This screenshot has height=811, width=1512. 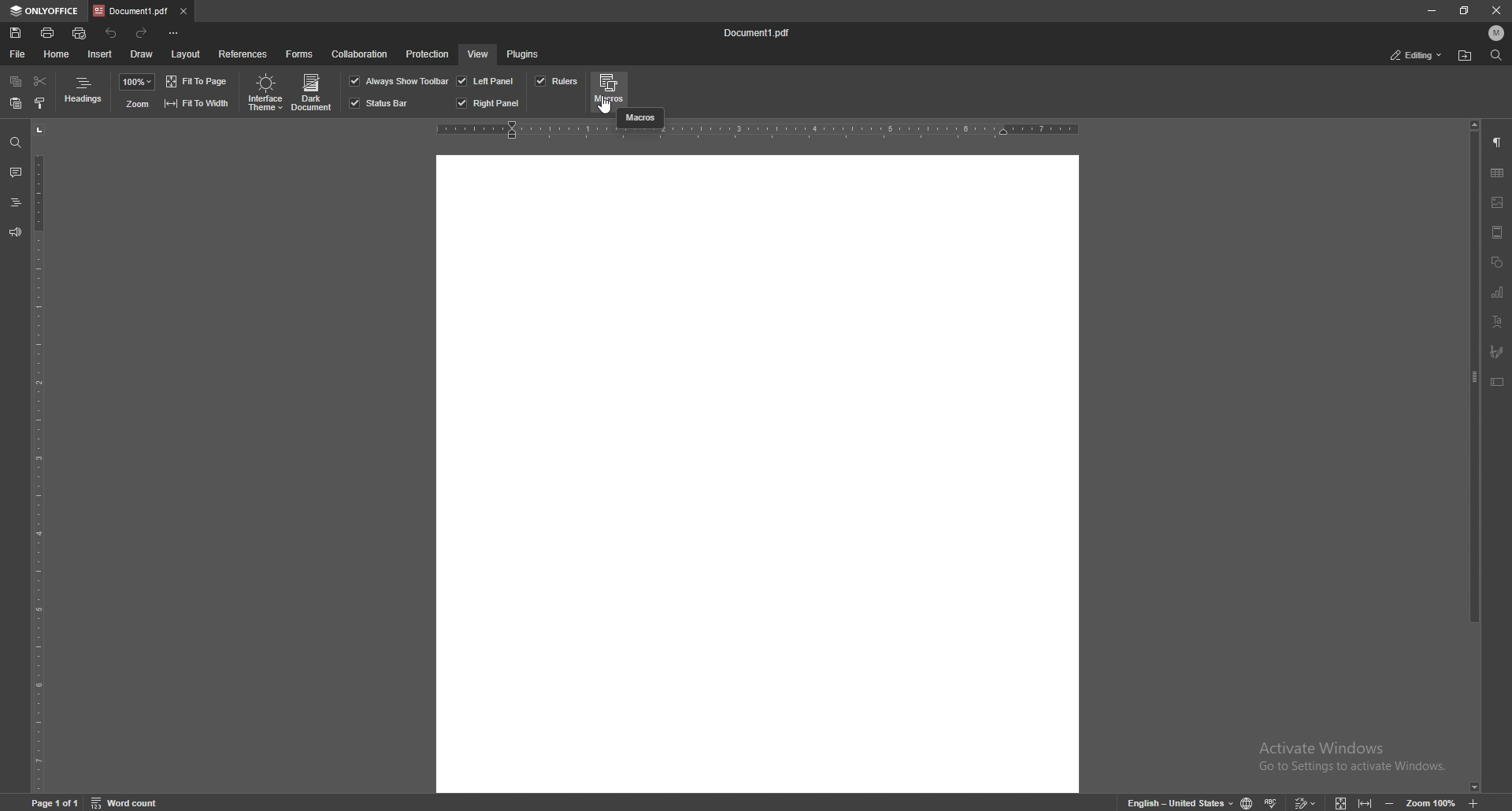 I want to click on resize, so click(x=1464, y=11).